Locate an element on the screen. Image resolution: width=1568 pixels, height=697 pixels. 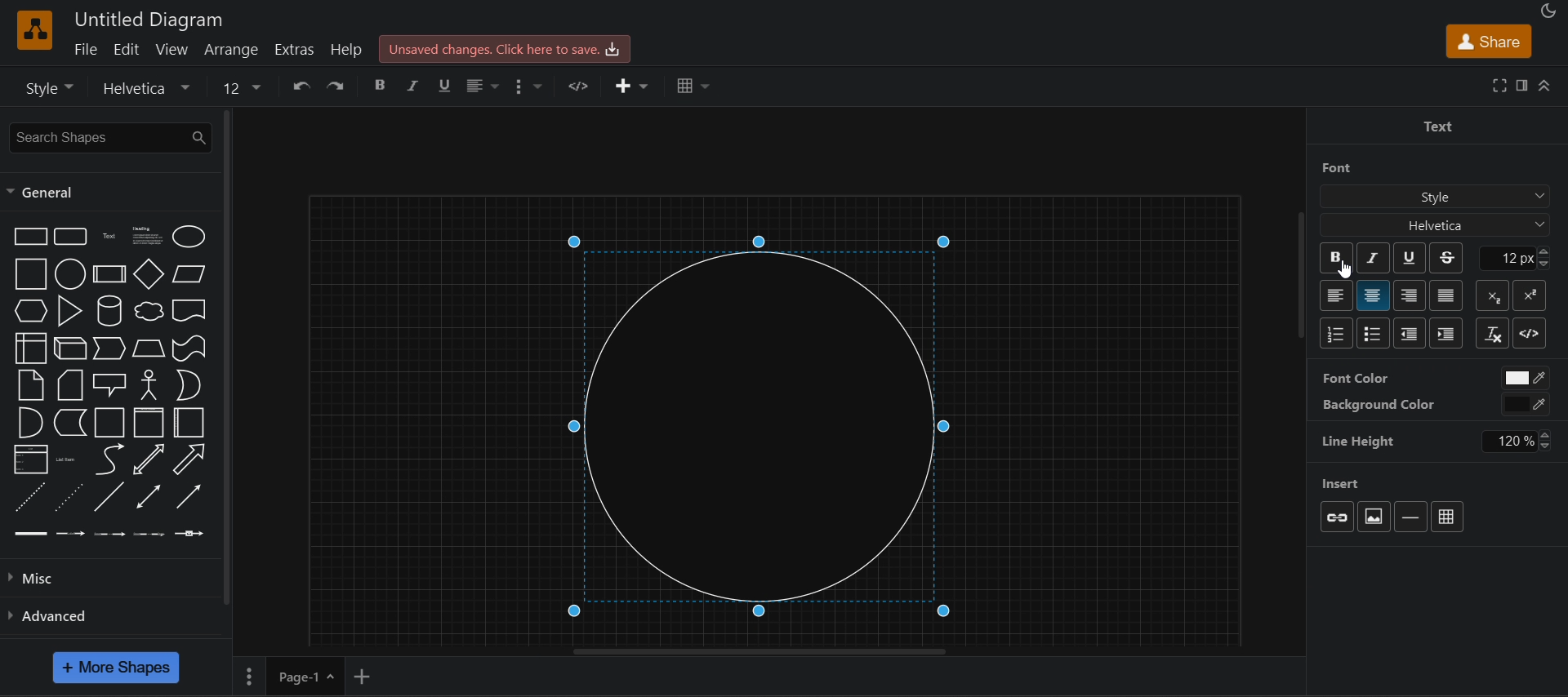
Untitled Diagram is located at coordinates (150, 18).